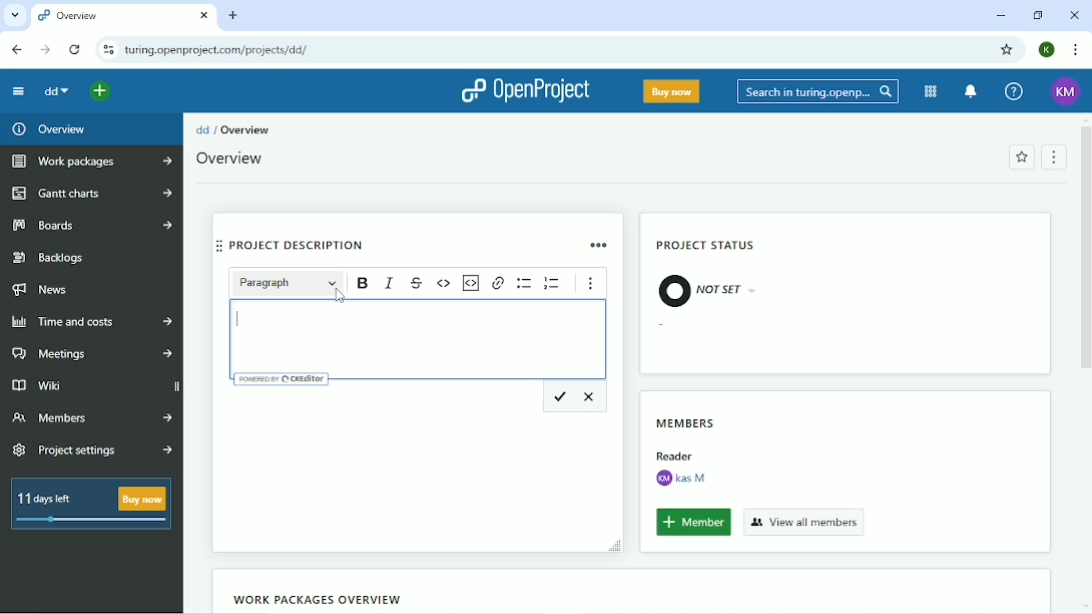 The image size is (1092, 614). I want to click on Meetings, so click(90, 354).